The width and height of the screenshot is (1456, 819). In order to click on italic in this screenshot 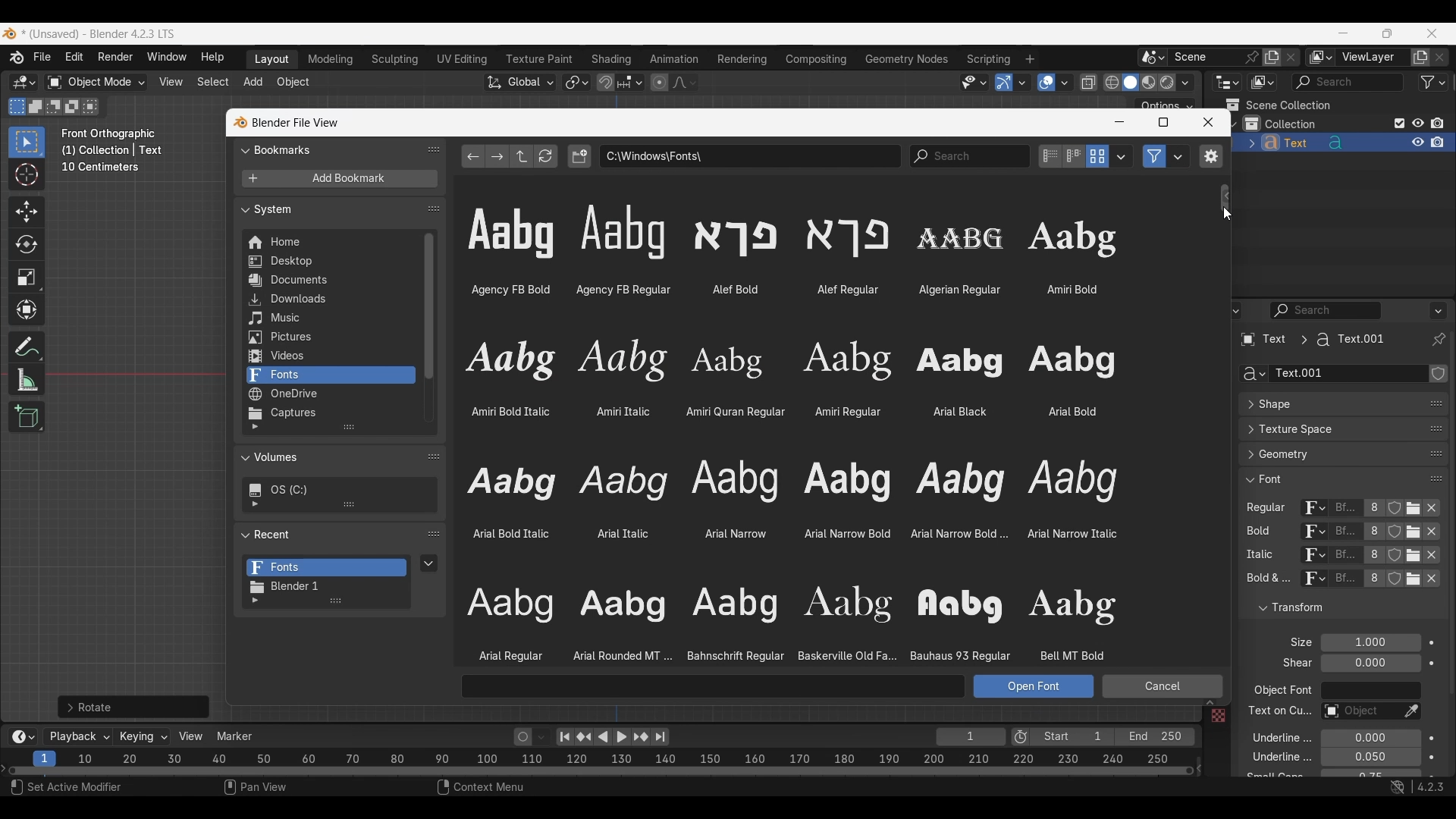, I will do `click(1257, 555)`.